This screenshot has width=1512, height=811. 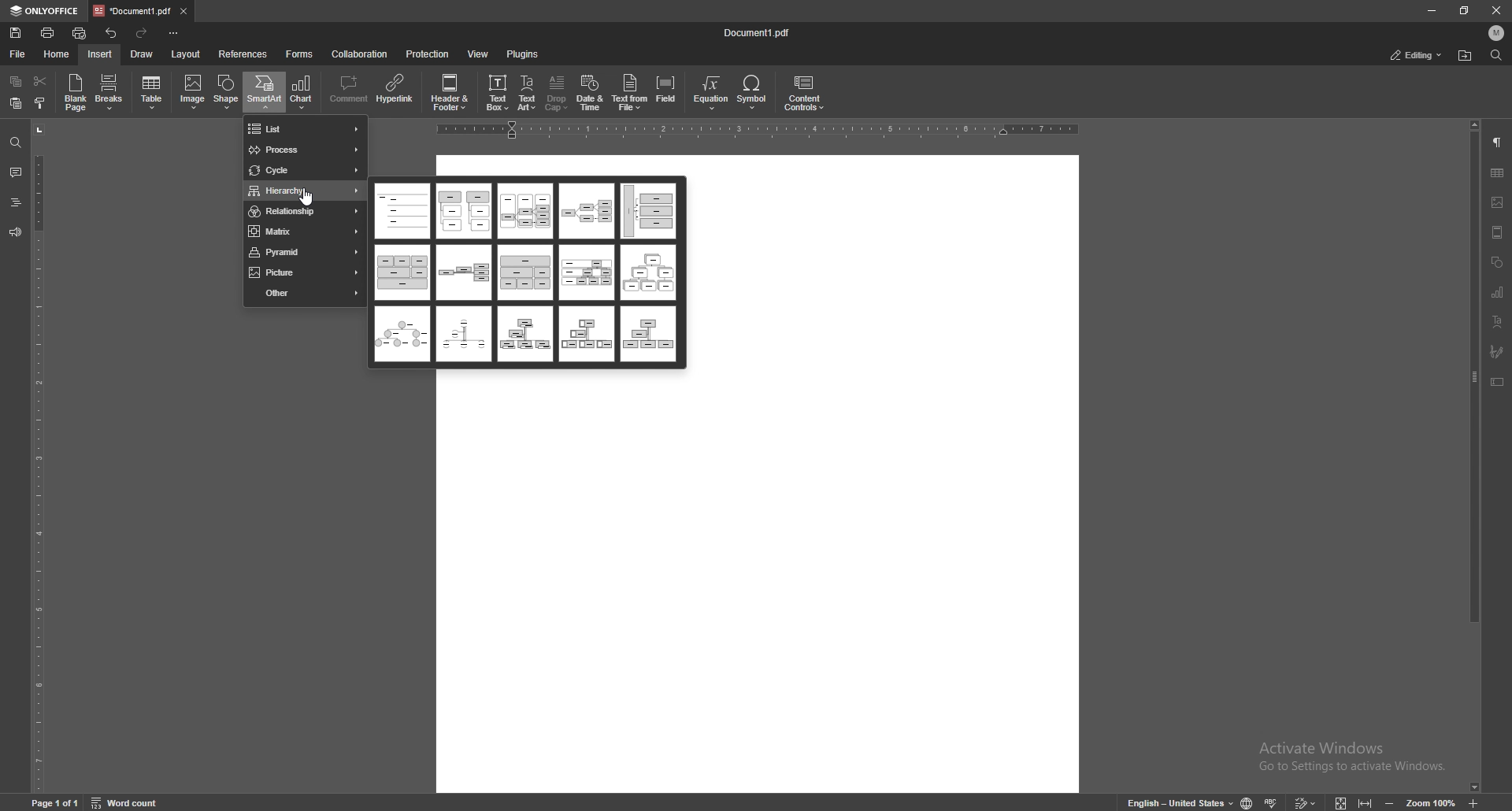 I want to click on hierarchy smart art, so click(x=403, y=334).